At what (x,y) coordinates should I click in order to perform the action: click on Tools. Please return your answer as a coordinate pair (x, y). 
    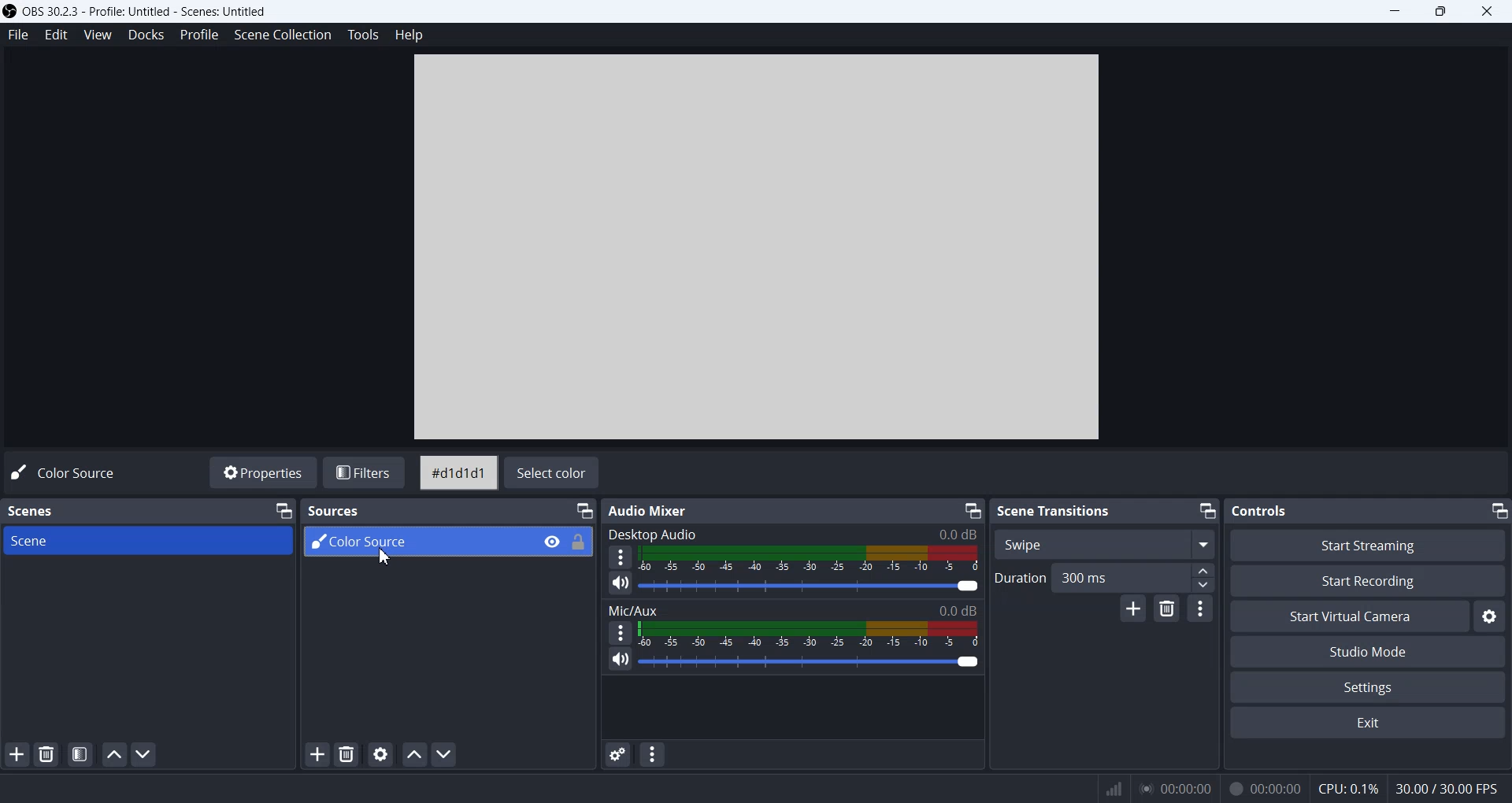
    Looking at the image, I should click on (365, 34).